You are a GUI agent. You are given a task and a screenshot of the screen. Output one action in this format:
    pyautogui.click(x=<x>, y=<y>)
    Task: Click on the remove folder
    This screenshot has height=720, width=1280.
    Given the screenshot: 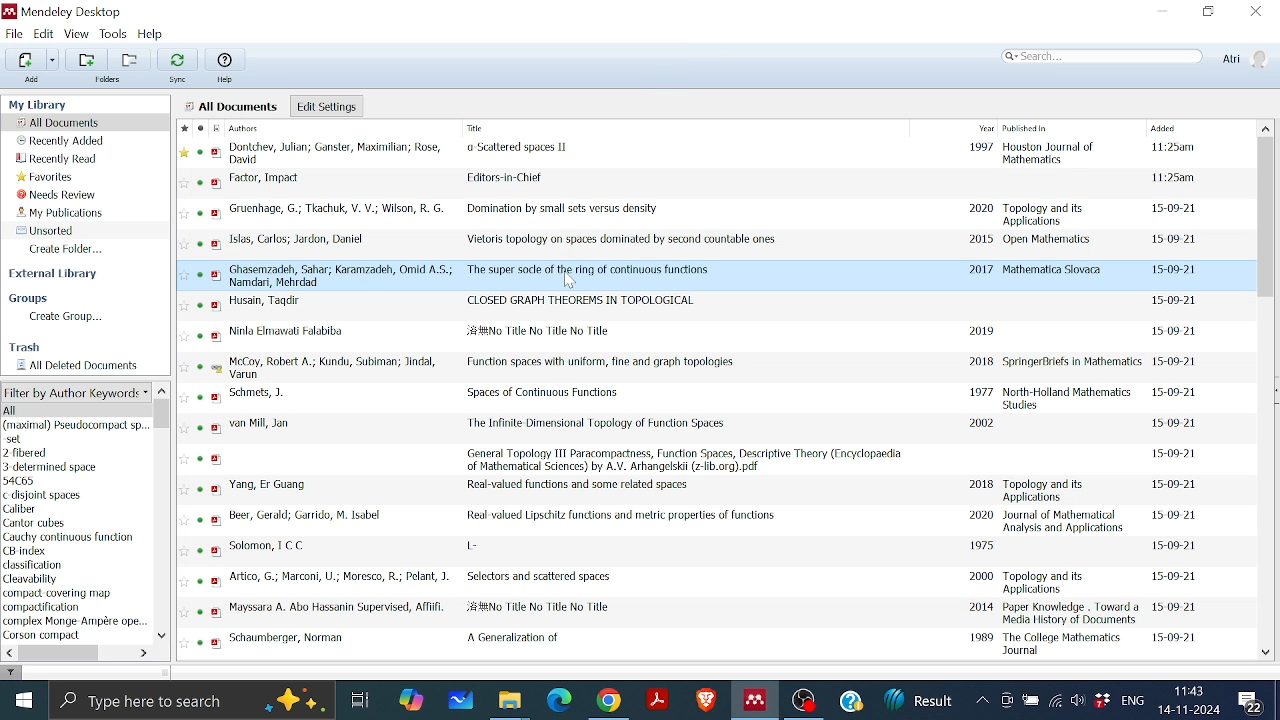 What is the action you would take?
    pyautogui.click(x=129, y=60)
    